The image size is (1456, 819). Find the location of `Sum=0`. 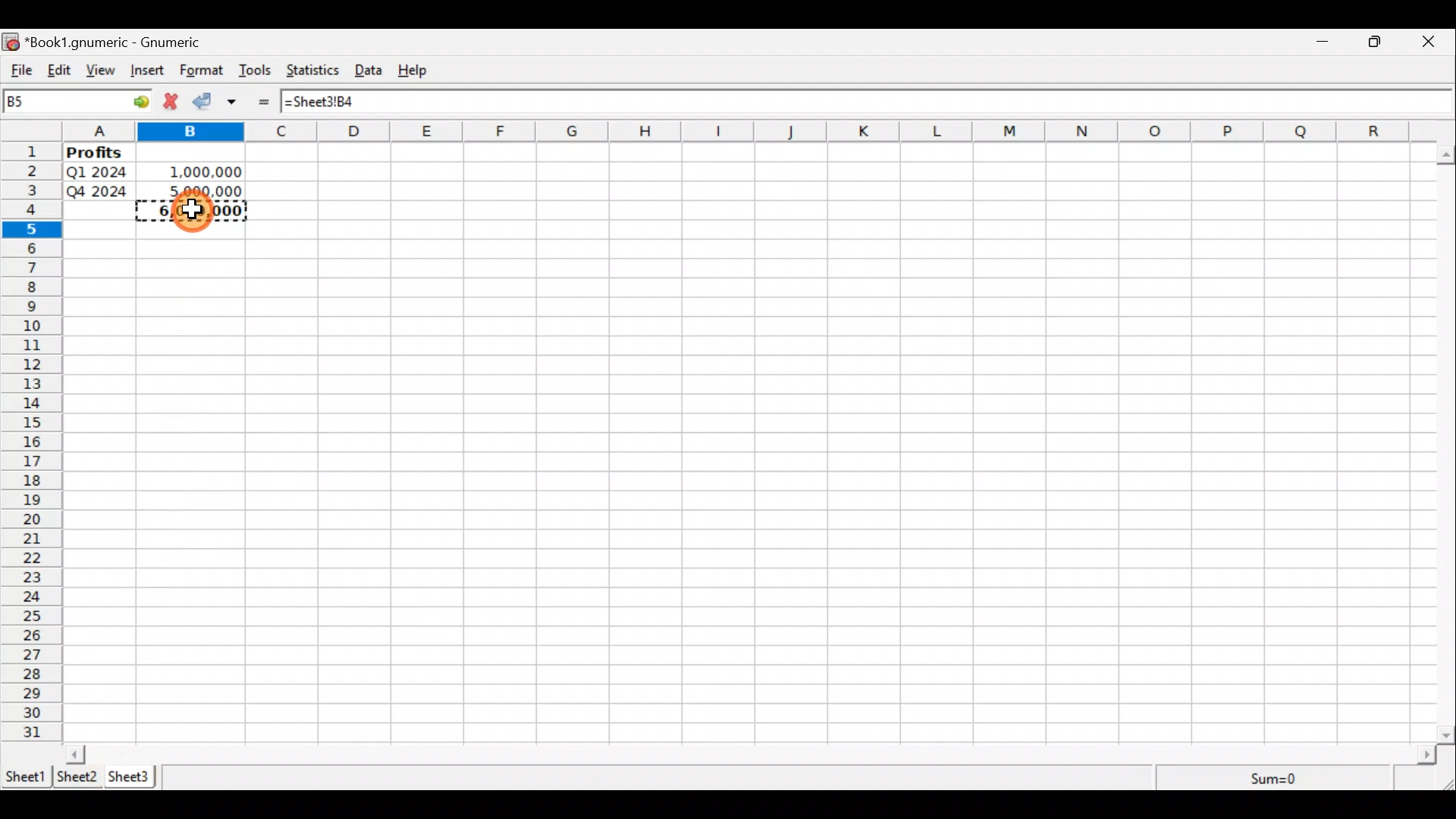

Sum=0 is located at coordinates (1276, 780).